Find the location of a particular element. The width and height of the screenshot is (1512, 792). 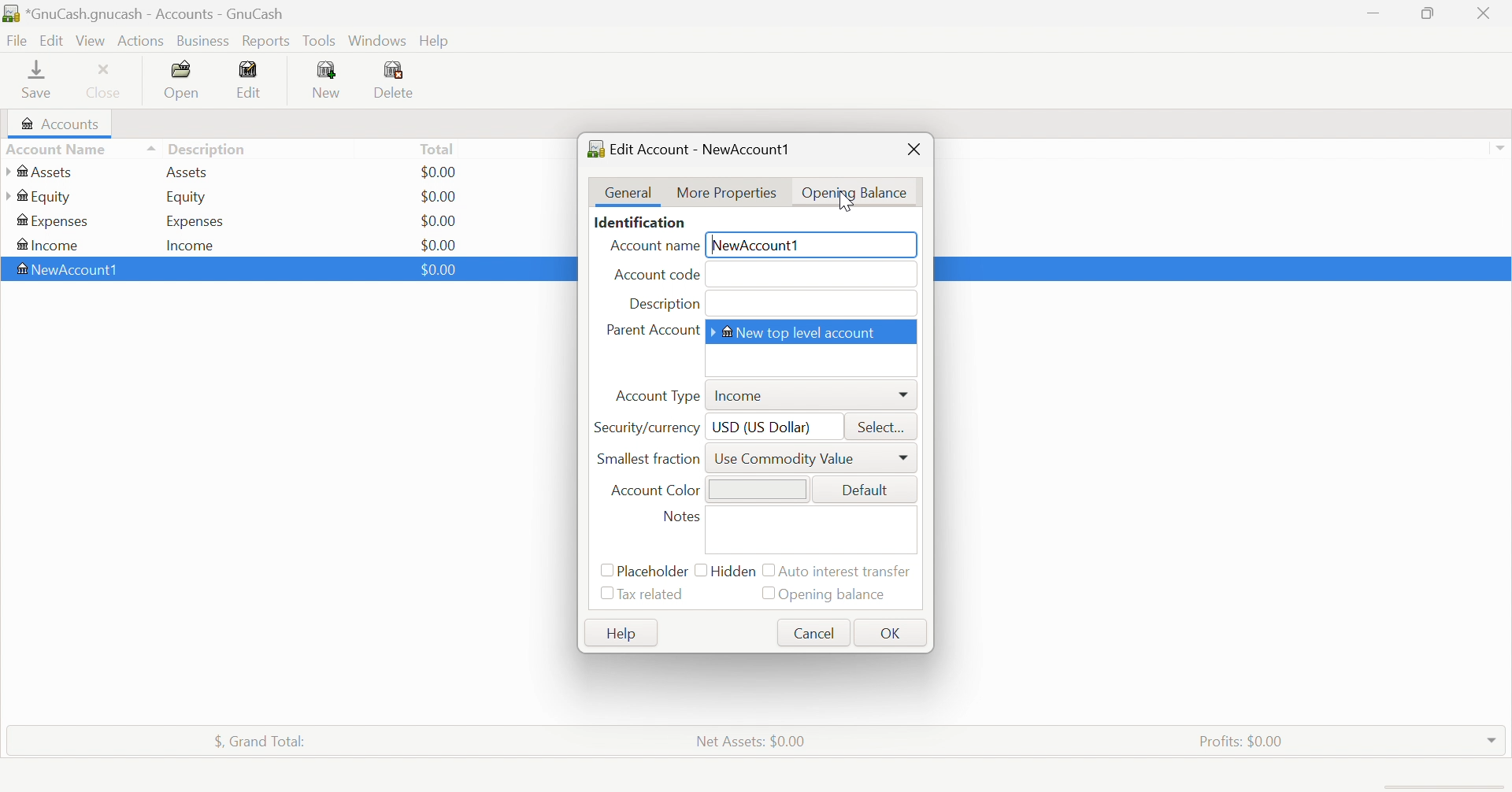

OK is located at coordinates (891, 635).